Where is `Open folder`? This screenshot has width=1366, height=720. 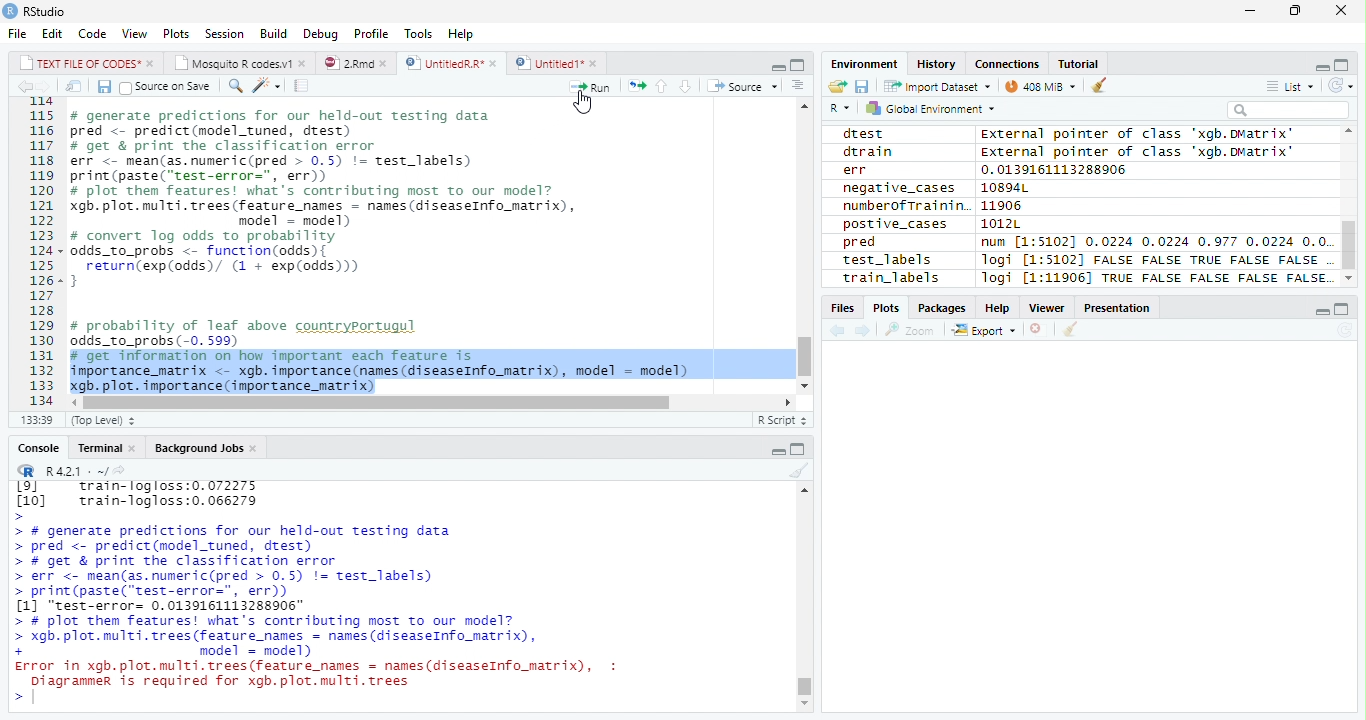 Open folder is located at coordinates (837, 85).